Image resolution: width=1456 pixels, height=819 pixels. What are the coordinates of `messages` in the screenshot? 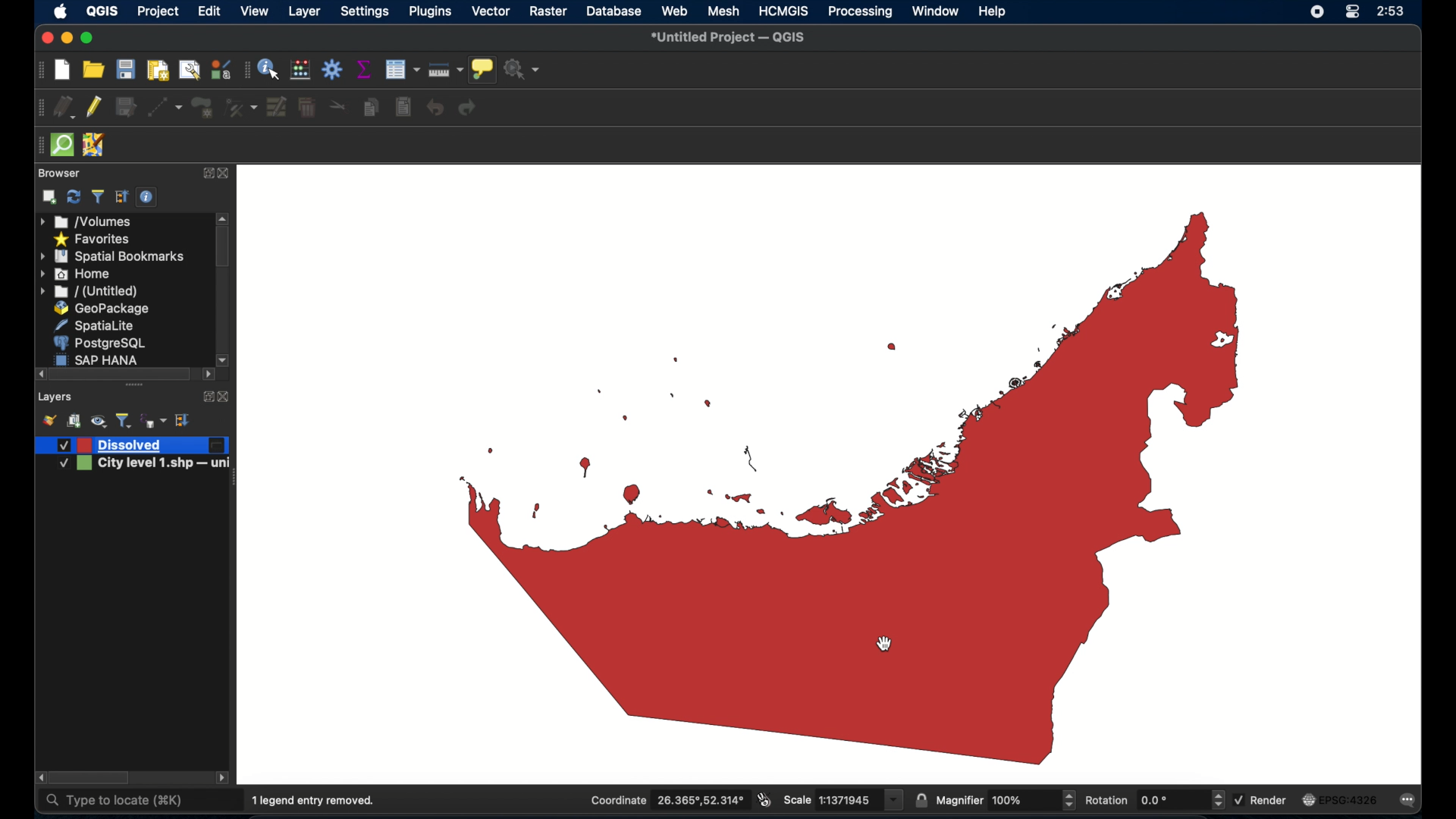 It's located at (1411, 801).